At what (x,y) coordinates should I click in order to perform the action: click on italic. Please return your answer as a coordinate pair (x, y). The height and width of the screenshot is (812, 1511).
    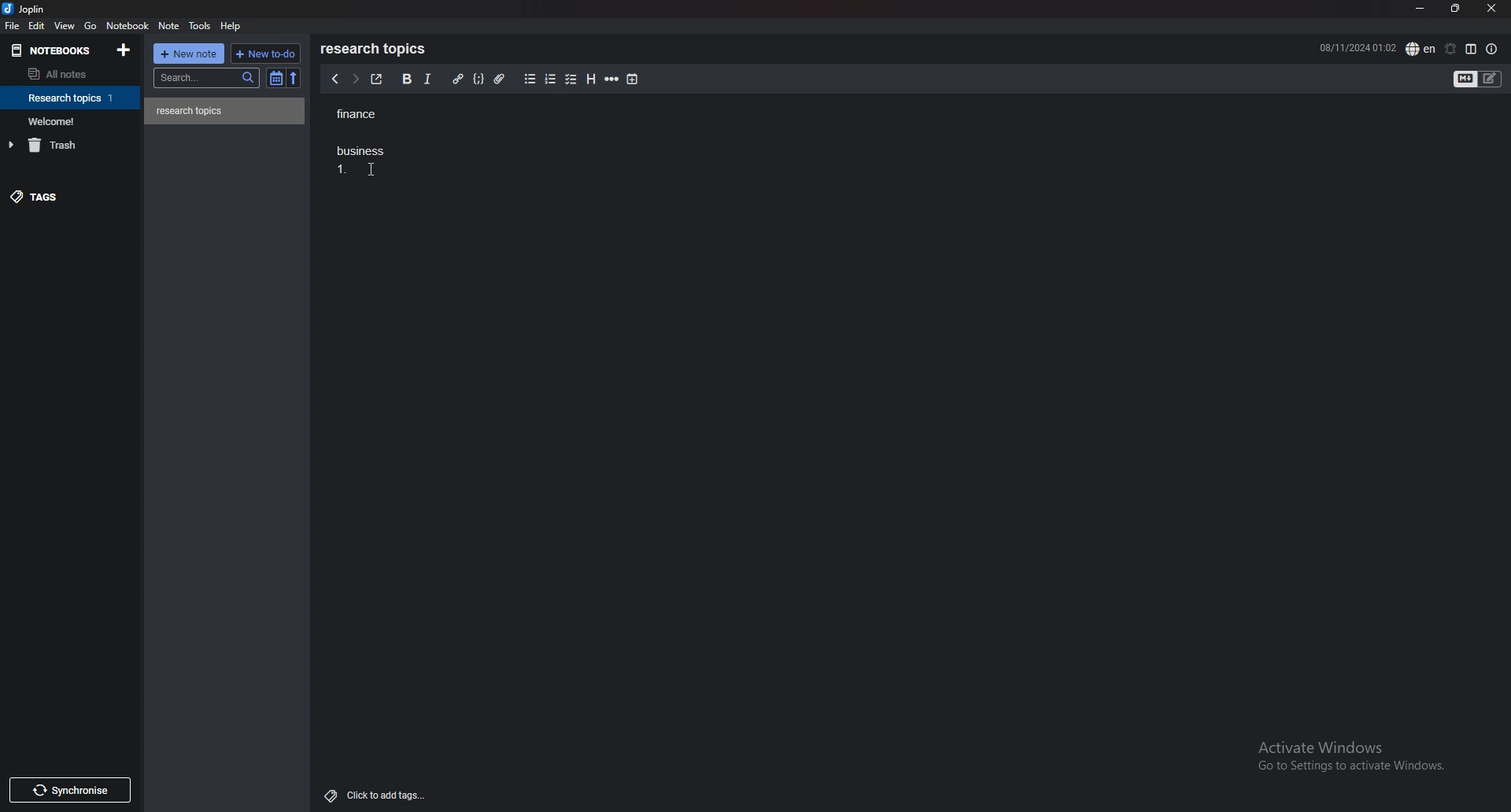
    Looking at the image, I should click on (427, 79).